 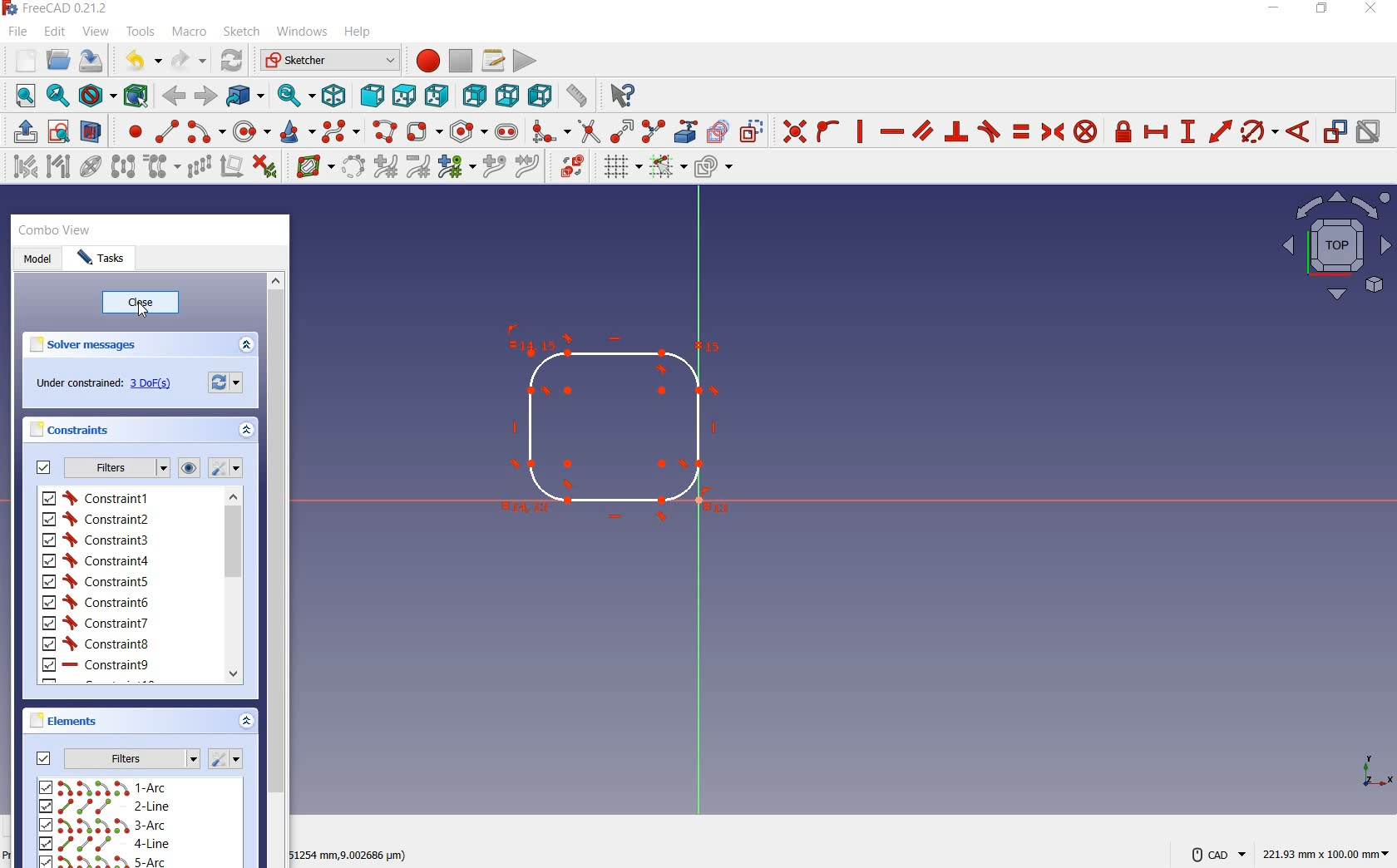 I want to click on create carbon copy, so click(x=718, y=133).